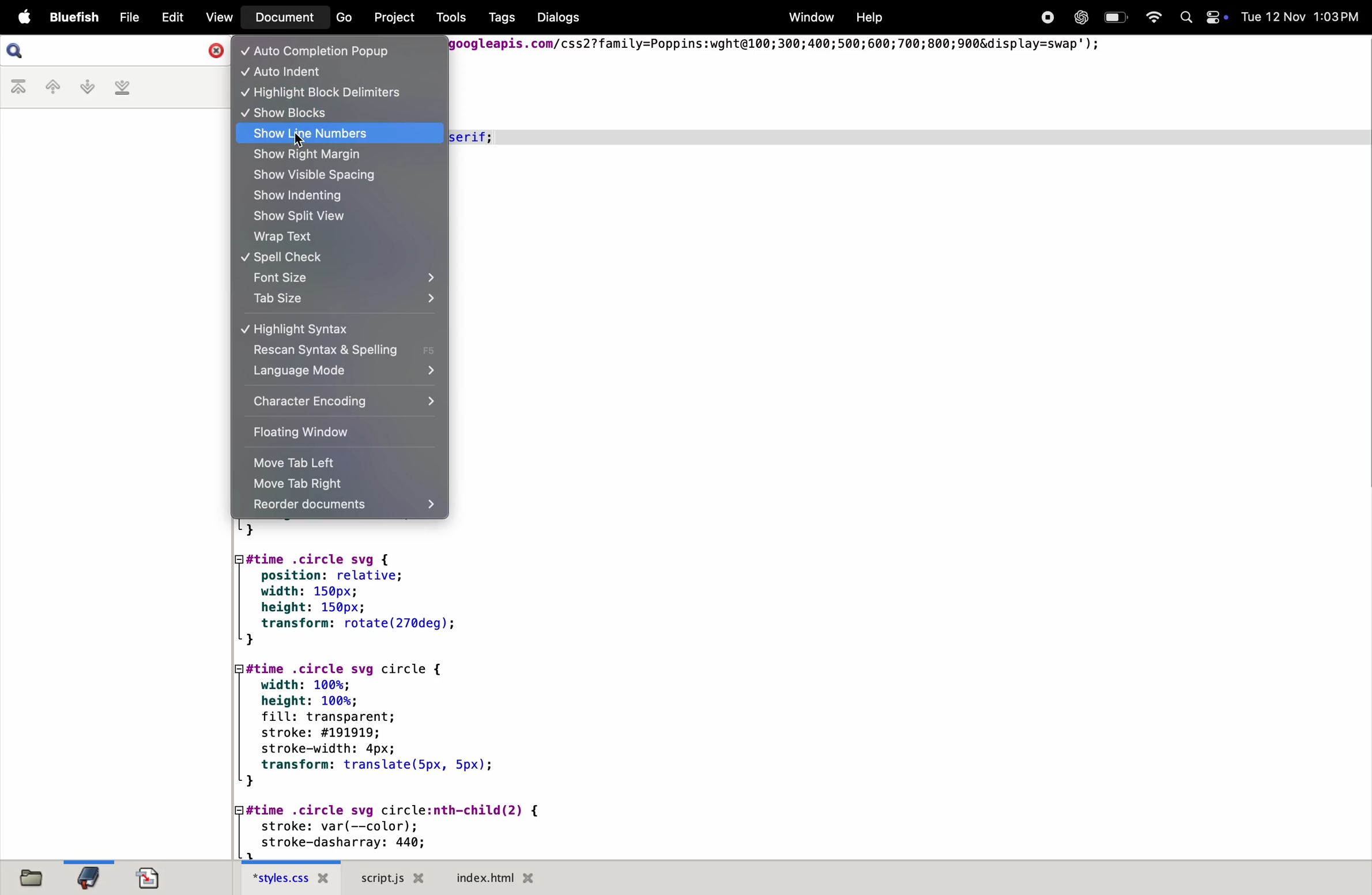  I want to click on Edit, so click(168, 17).